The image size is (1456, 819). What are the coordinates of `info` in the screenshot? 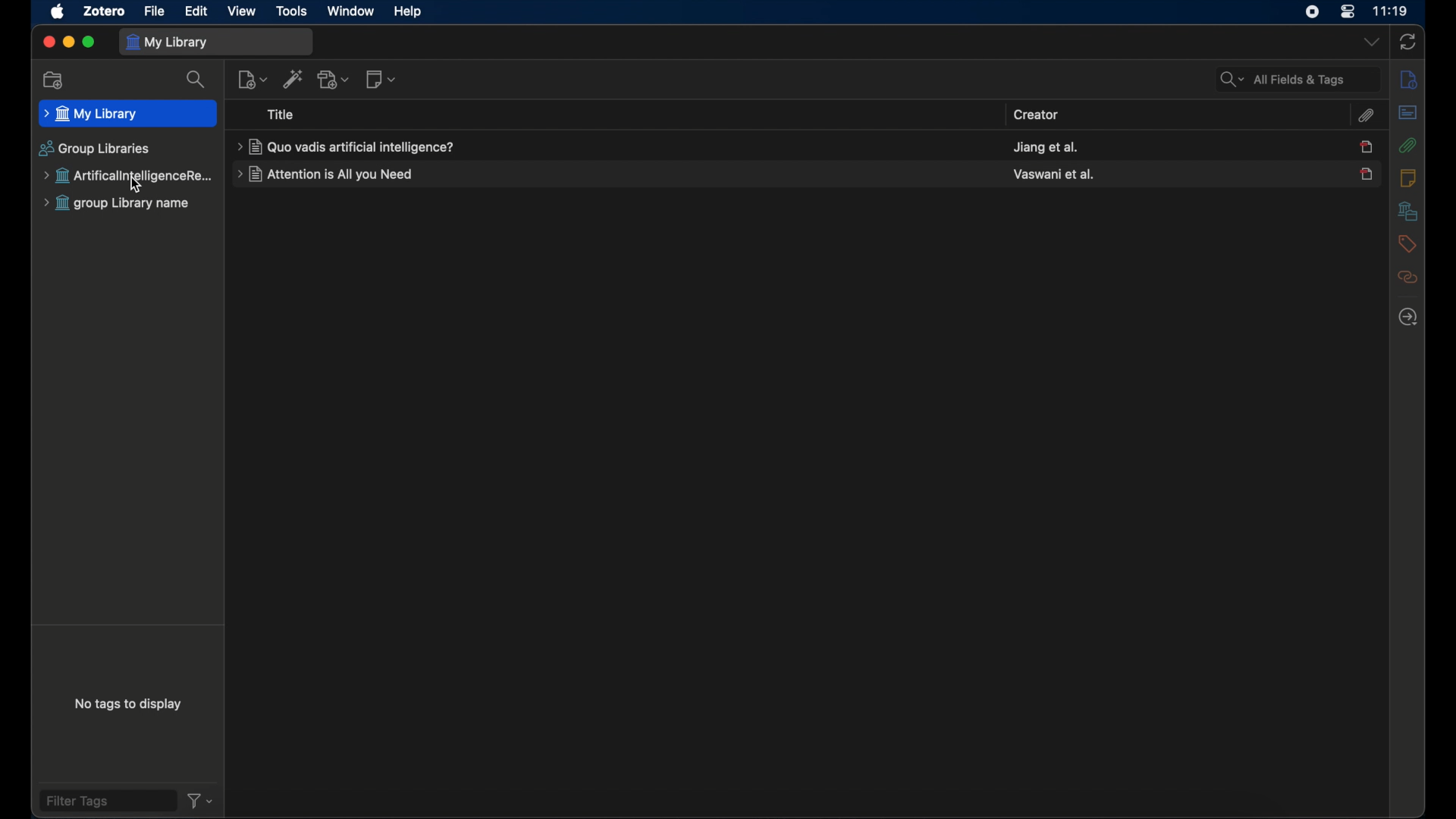 It's located at (1407, 80).